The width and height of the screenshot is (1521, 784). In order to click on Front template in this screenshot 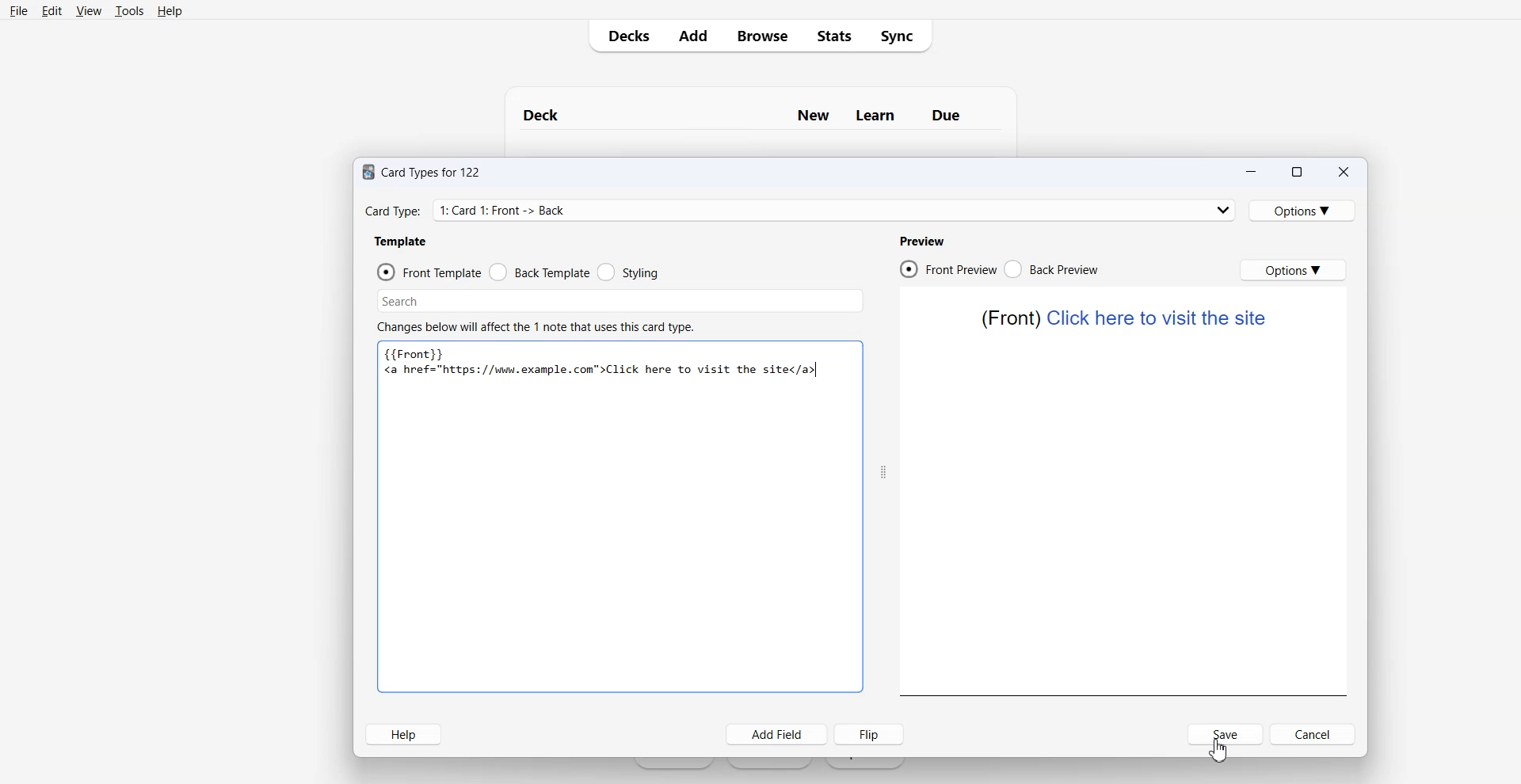, I will do `click(429, 272)`.